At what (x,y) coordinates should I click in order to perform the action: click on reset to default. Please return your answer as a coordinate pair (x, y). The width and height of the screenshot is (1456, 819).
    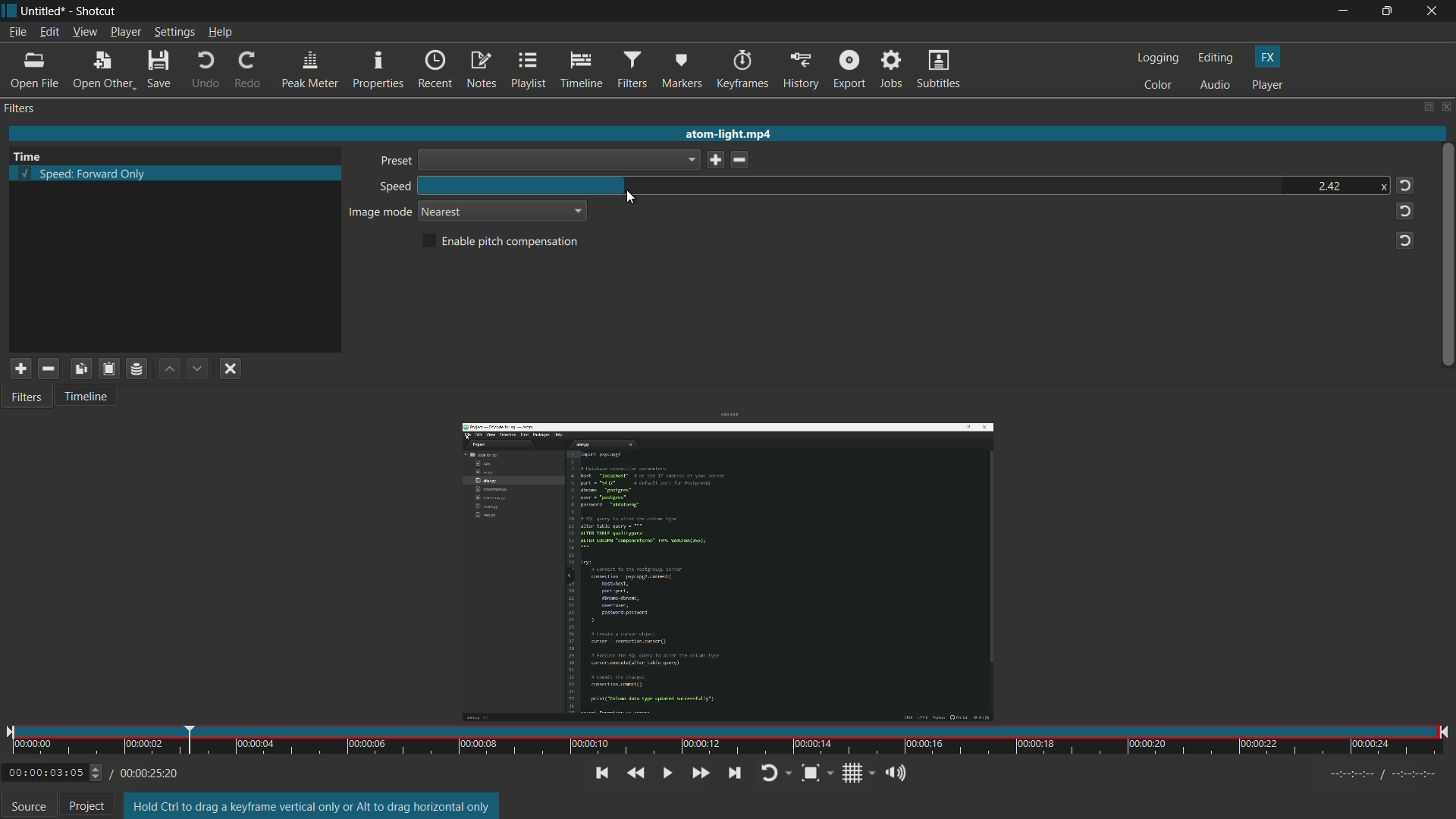
    Looking at the image, I should click on (1404, 210).